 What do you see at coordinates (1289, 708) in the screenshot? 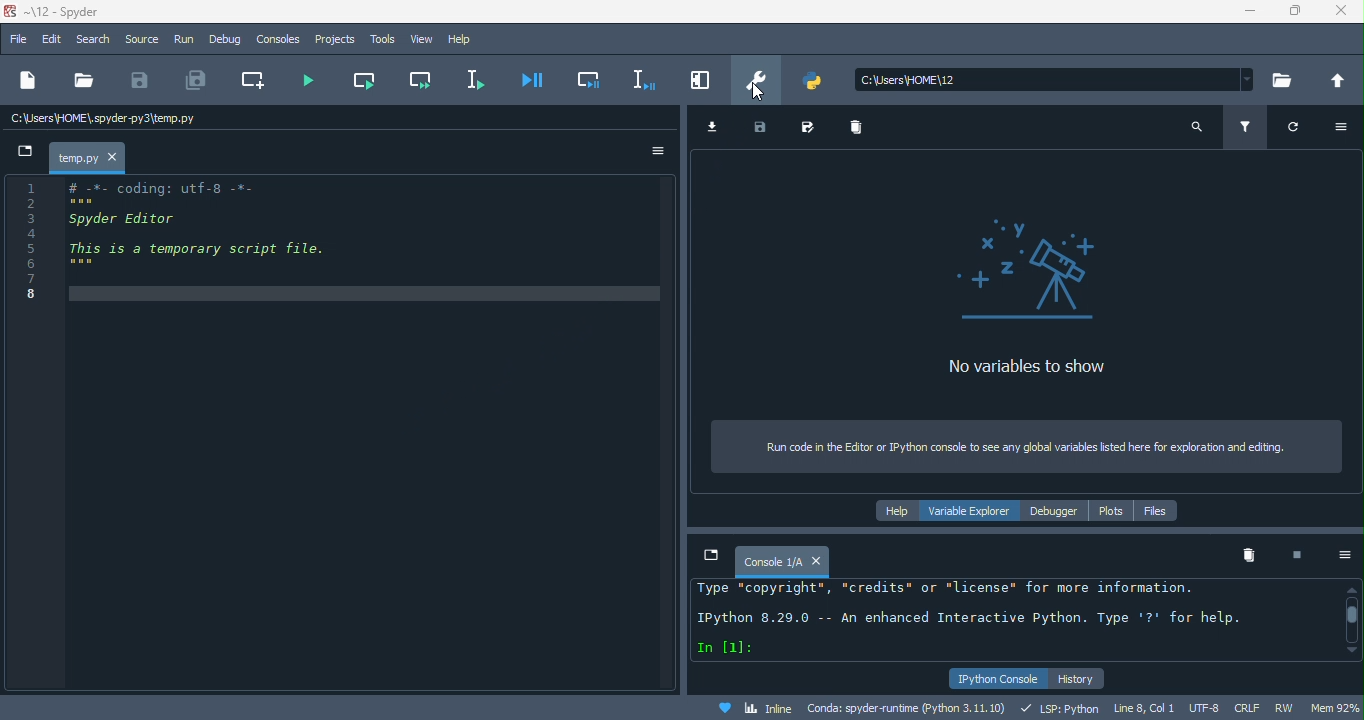
I see `rw` at bounding box center [1289, 708].